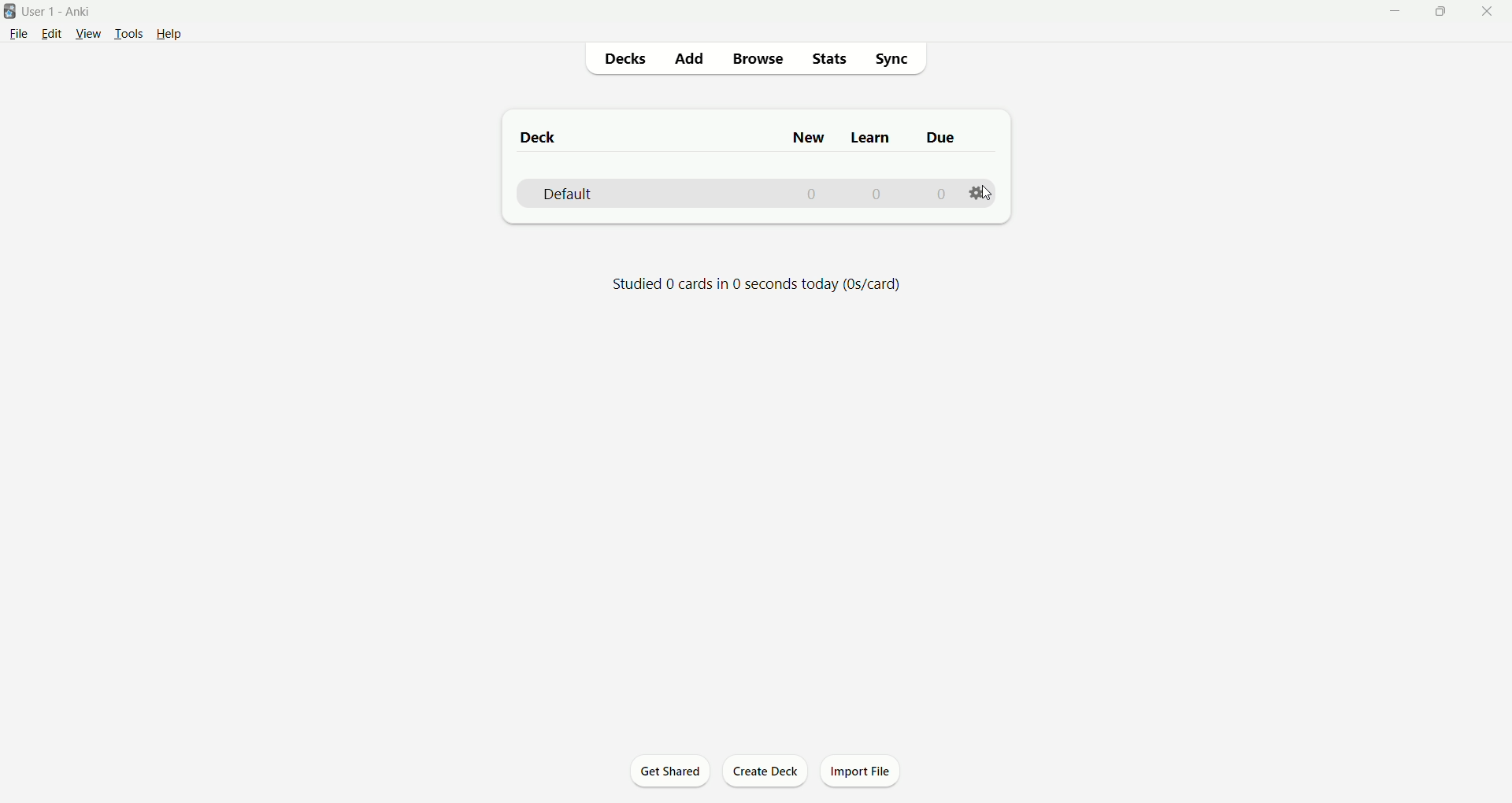  I want to click on stats, so click(828, 61).